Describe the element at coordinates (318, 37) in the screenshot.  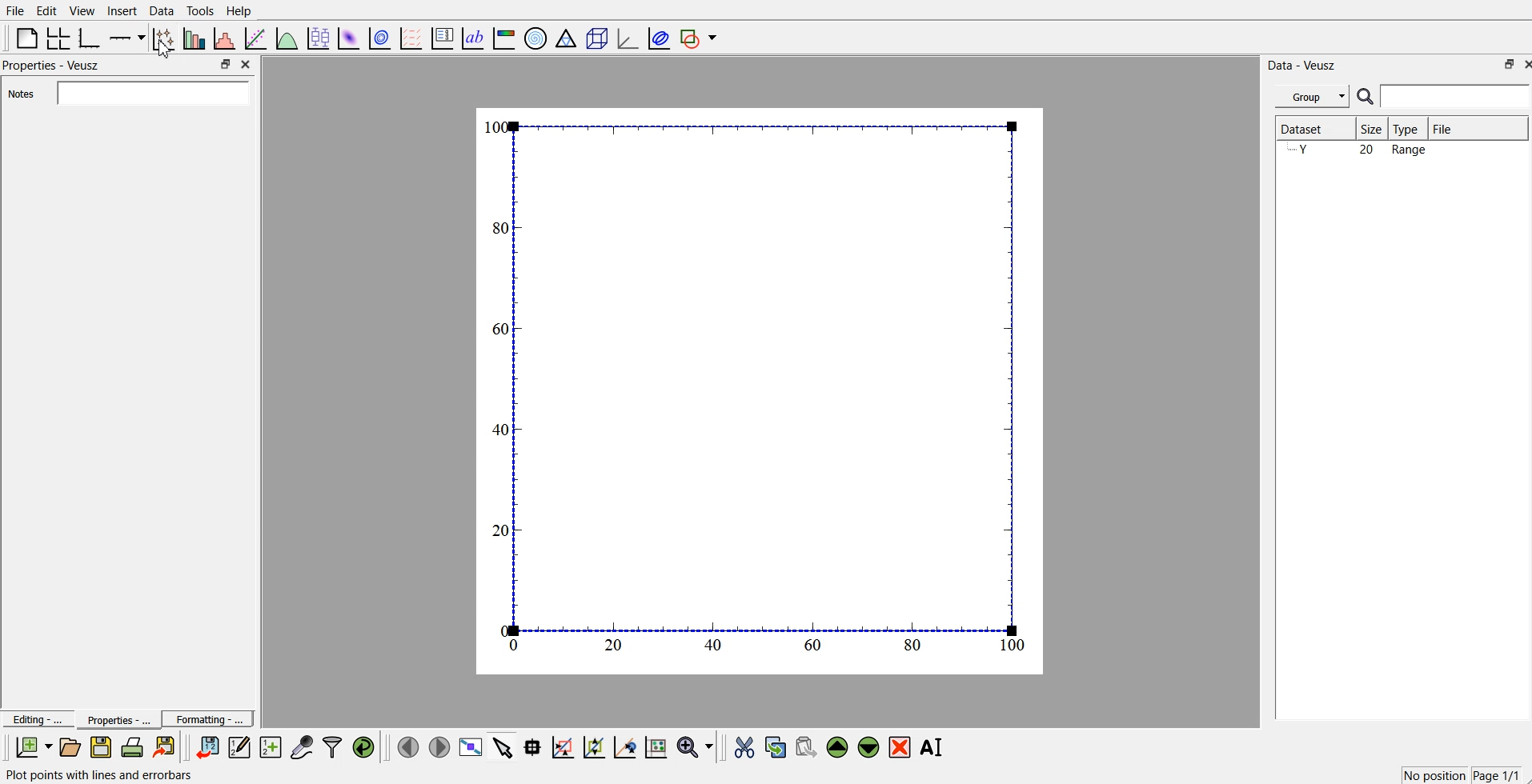
I see `plot box plots` at that location.